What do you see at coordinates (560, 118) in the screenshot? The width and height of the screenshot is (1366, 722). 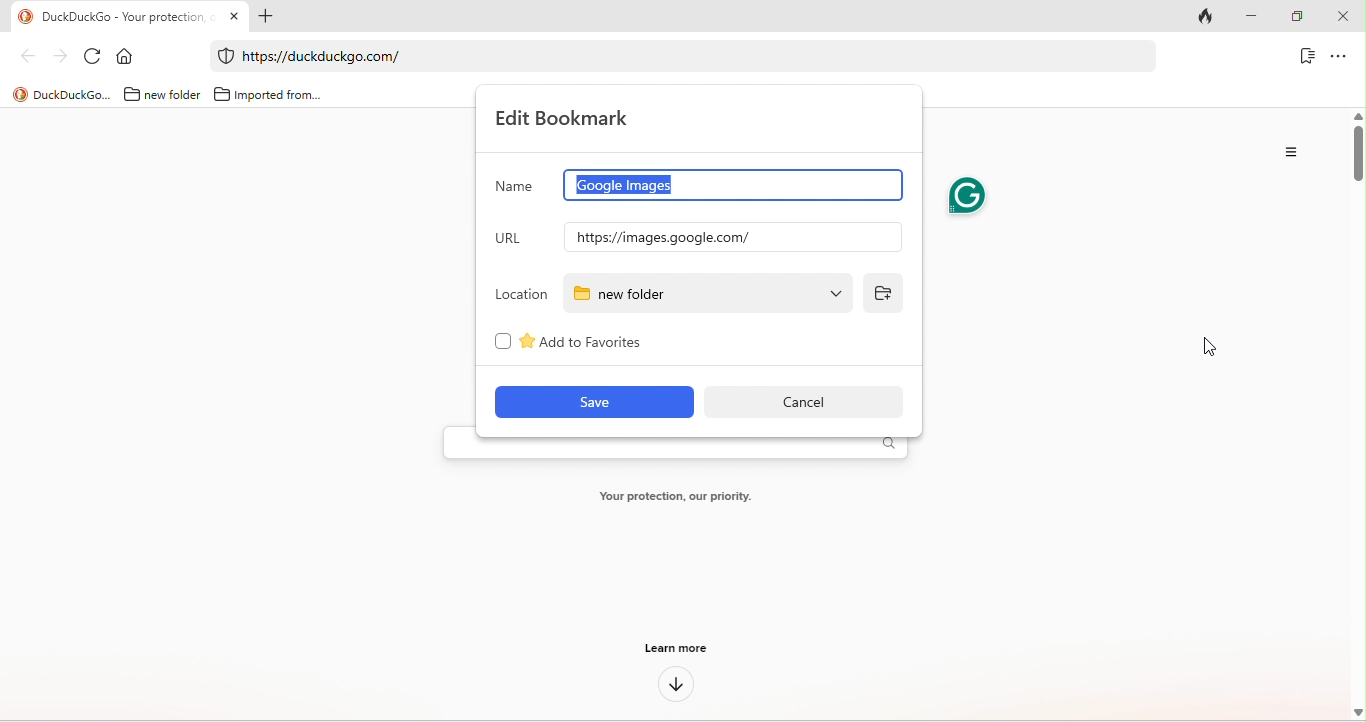 I see `edit bookmark` at bounding box center [560, 118].